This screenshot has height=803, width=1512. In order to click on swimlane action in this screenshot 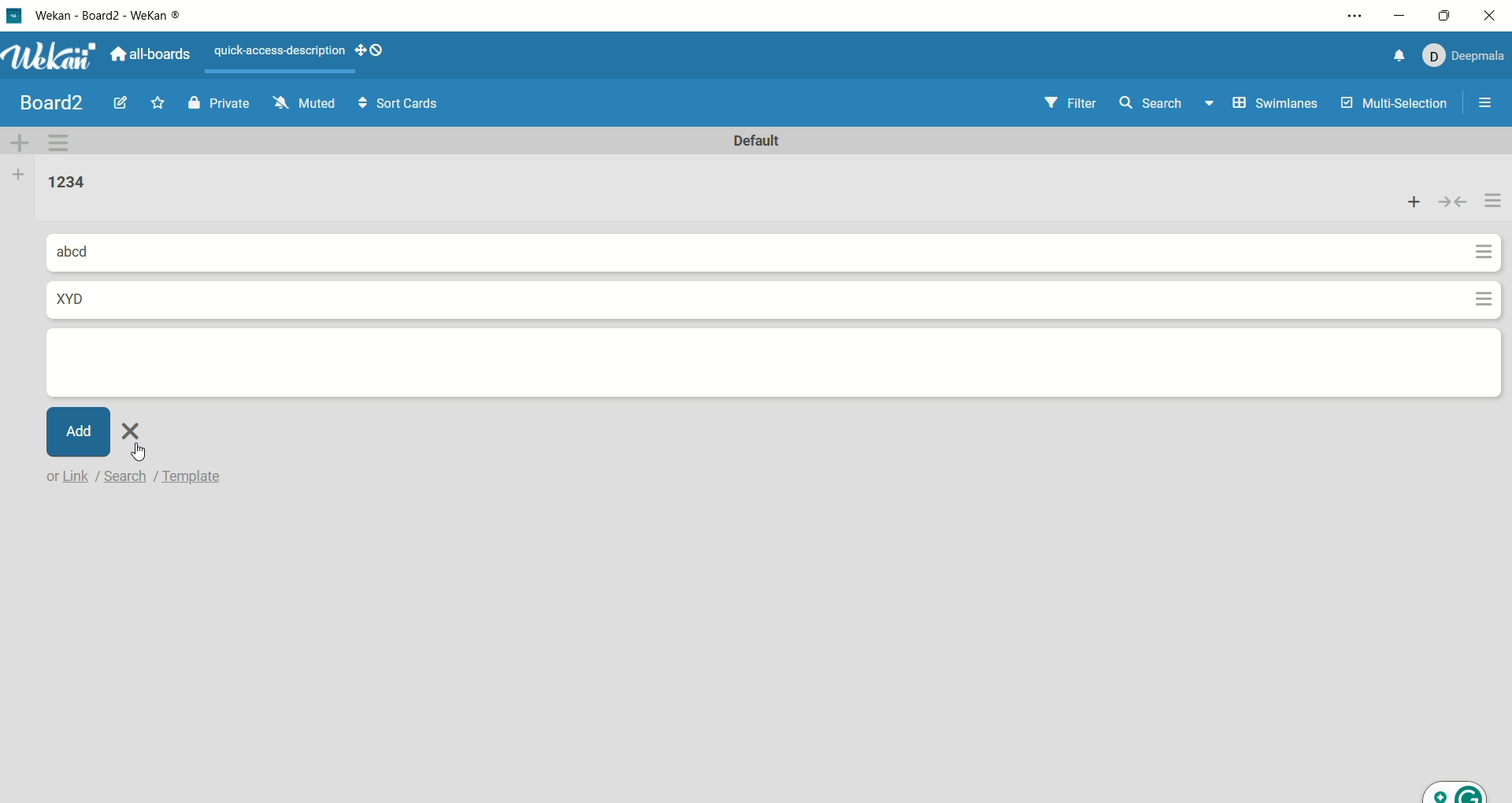, I will do `click(65, 141)`.